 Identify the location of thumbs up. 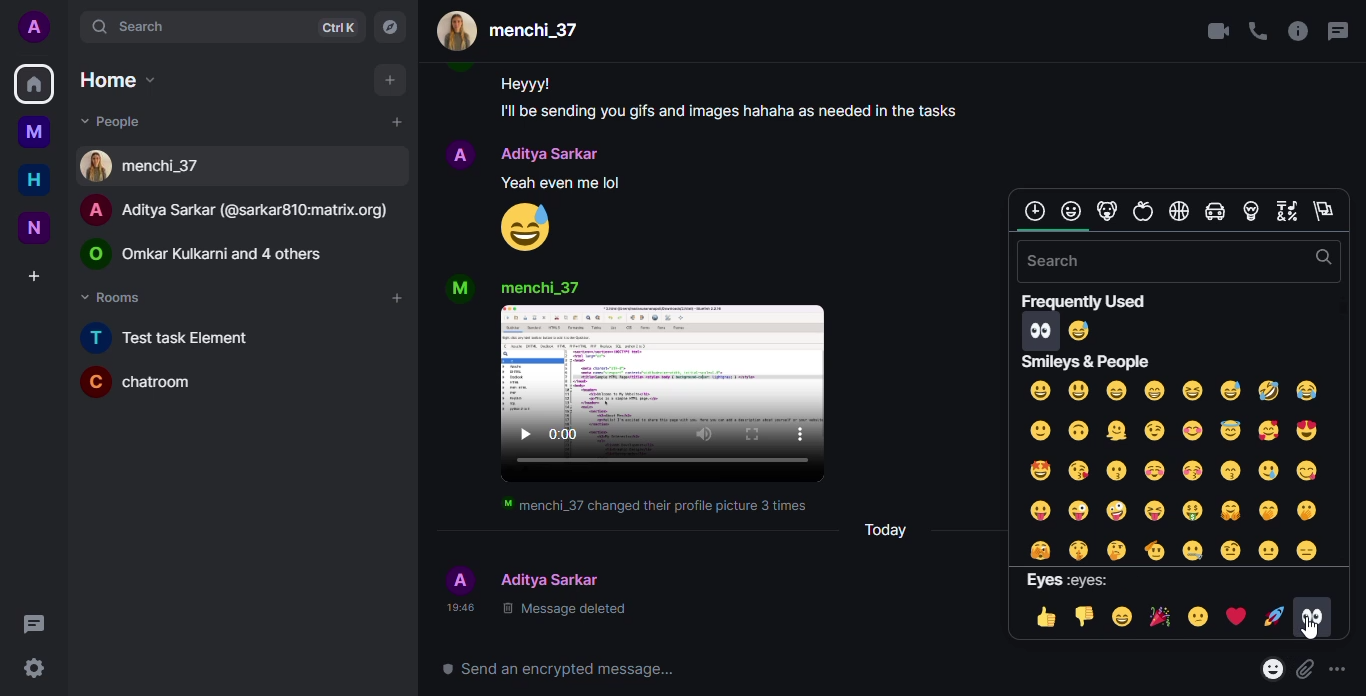
(1040, 617).